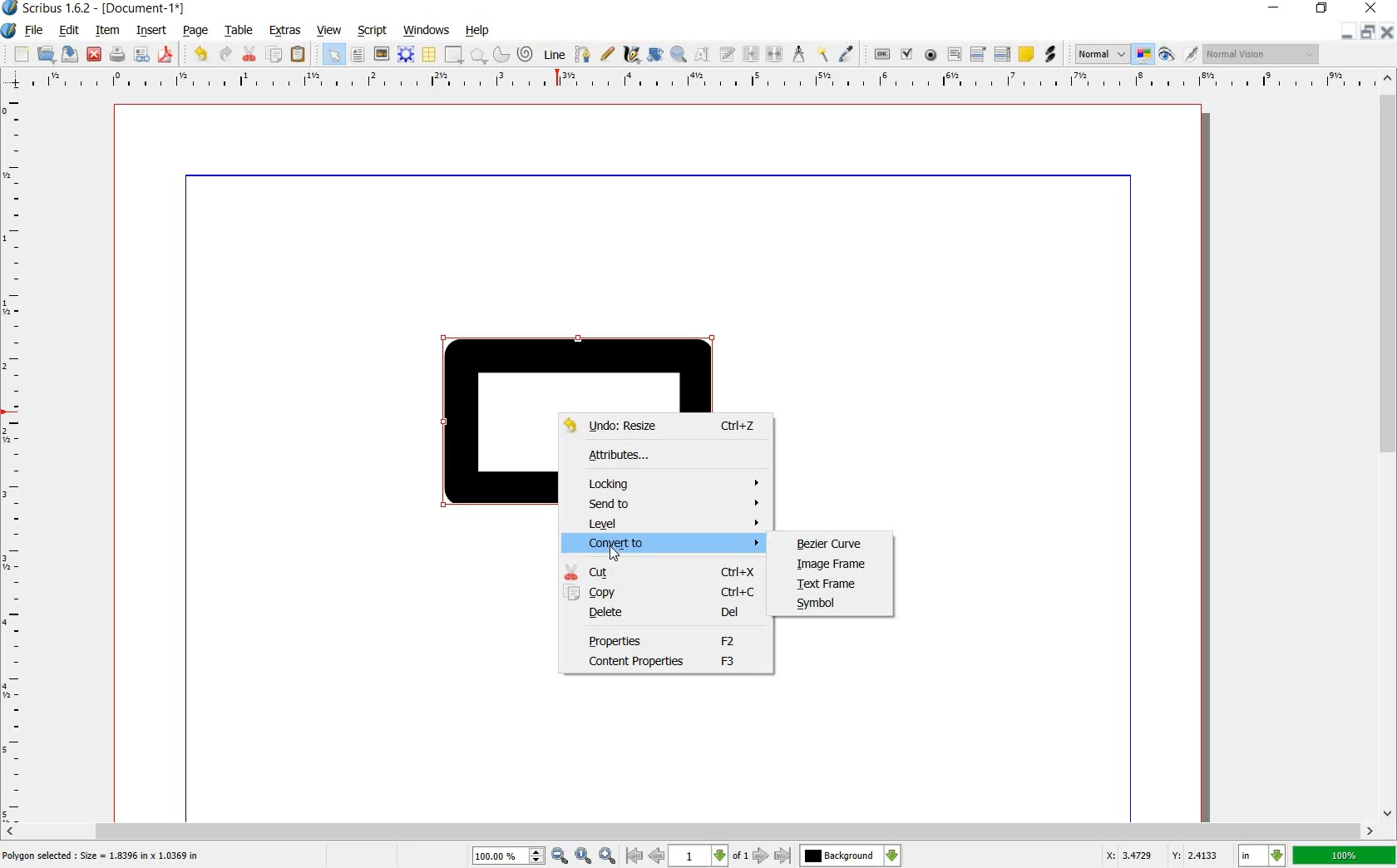  I want to click on zoom in, so click(521, 855).